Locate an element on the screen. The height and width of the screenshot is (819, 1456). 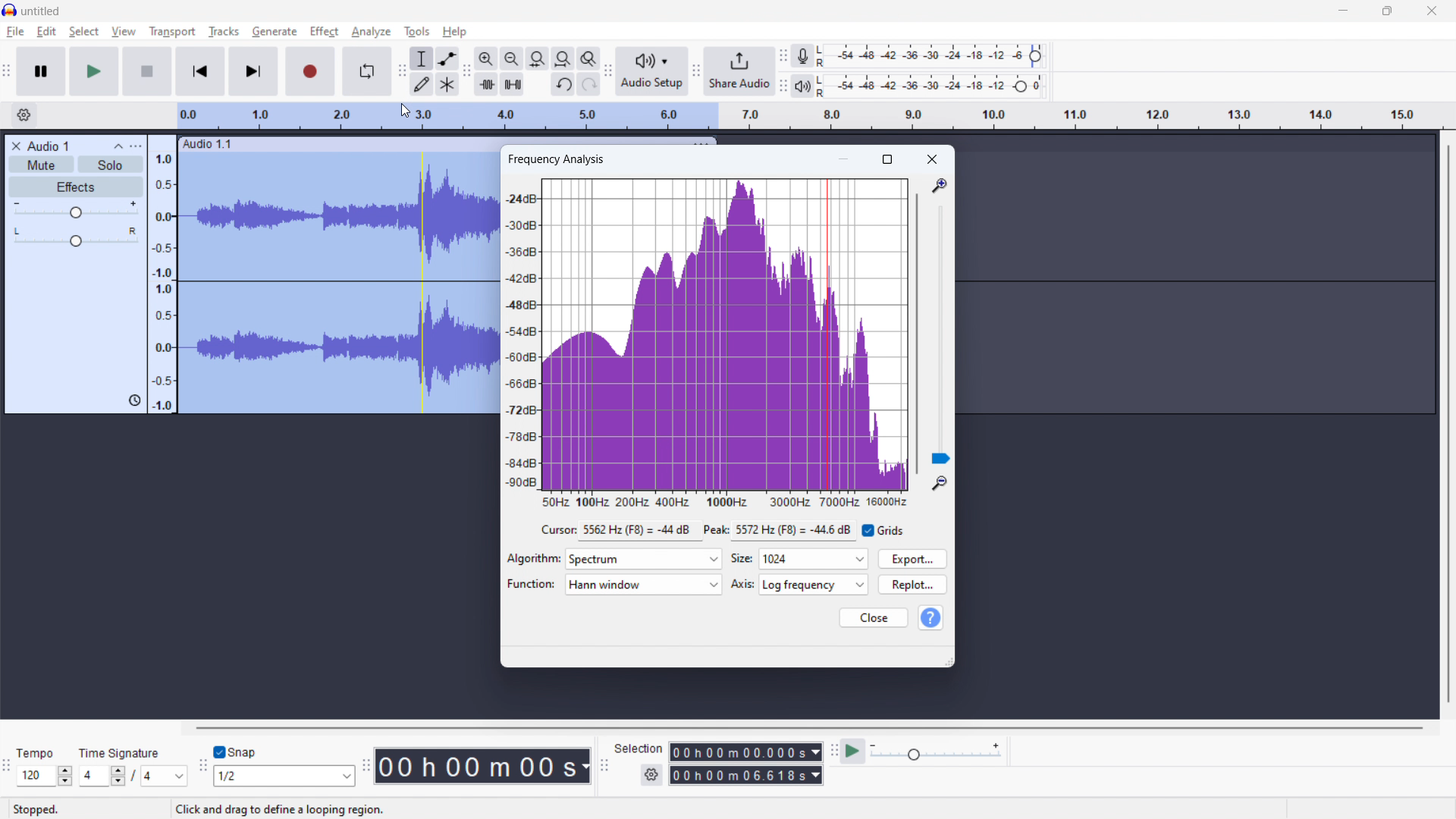
snapping toolbar is located at coordinates (202, 767).